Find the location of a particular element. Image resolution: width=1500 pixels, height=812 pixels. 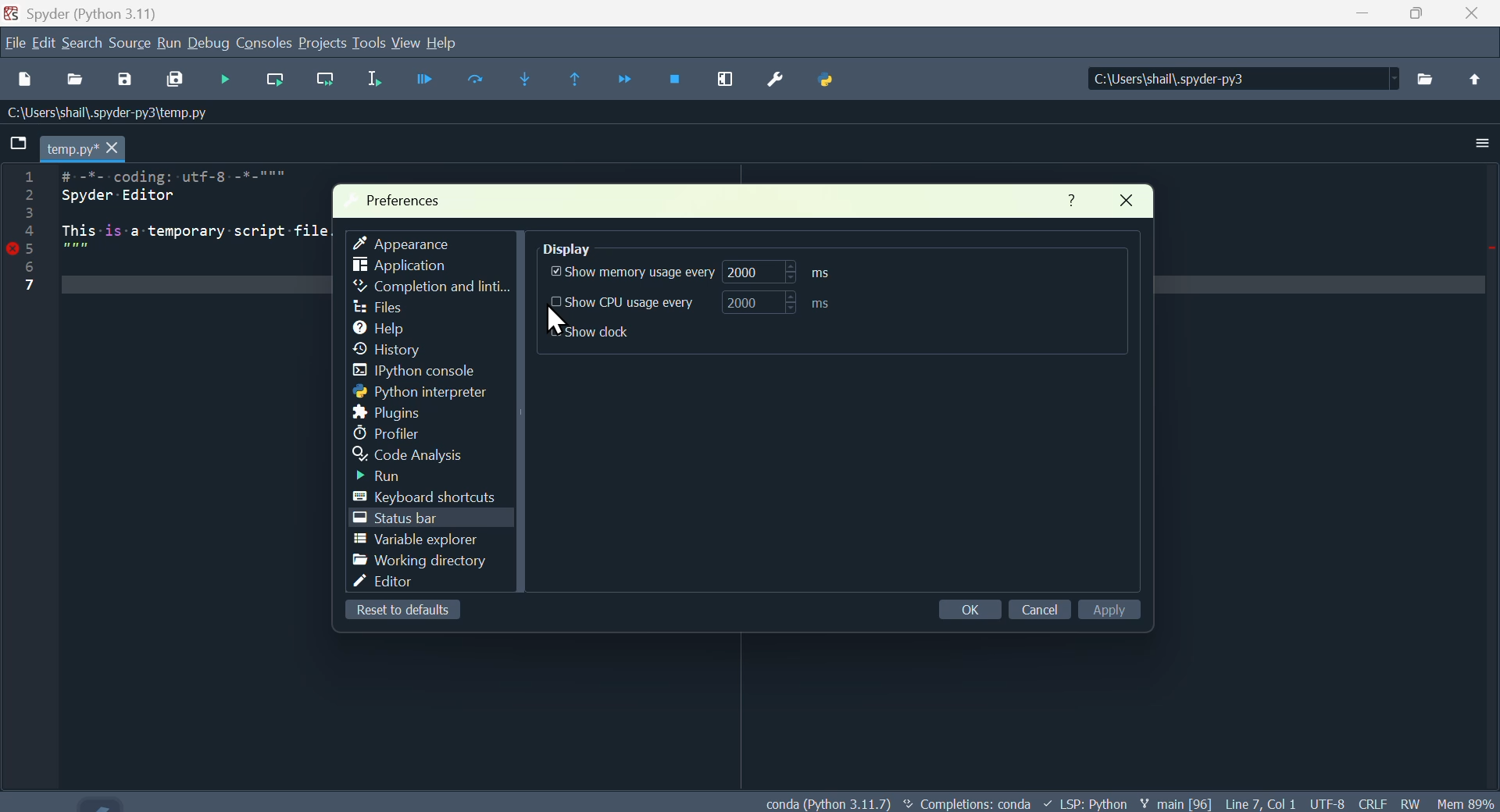

Help is located at coordinates (1066, 198).